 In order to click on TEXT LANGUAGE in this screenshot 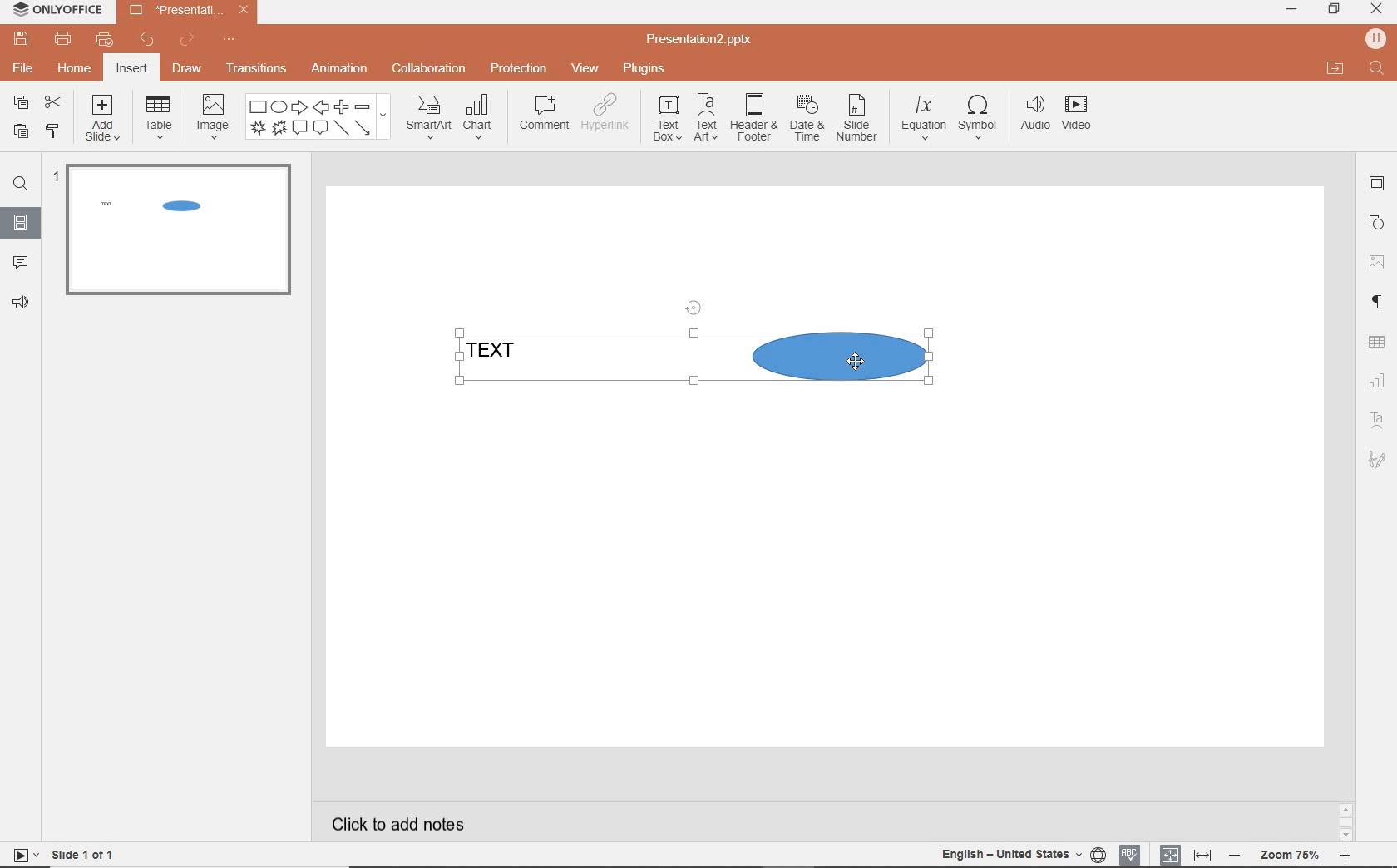, I will do `click(1021, 855)`.